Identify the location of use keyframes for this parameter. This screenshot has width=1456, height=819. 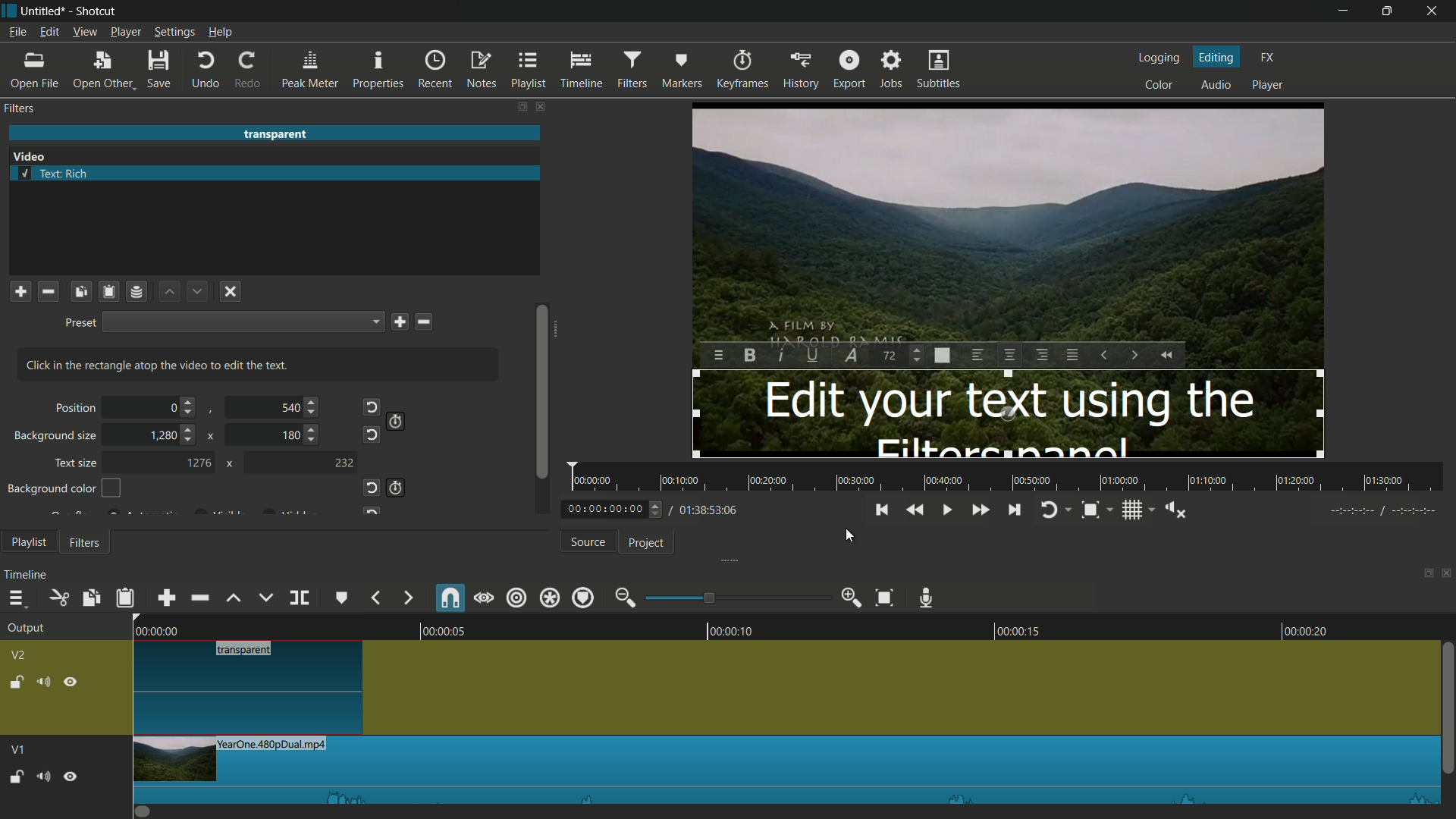
(397, 421).